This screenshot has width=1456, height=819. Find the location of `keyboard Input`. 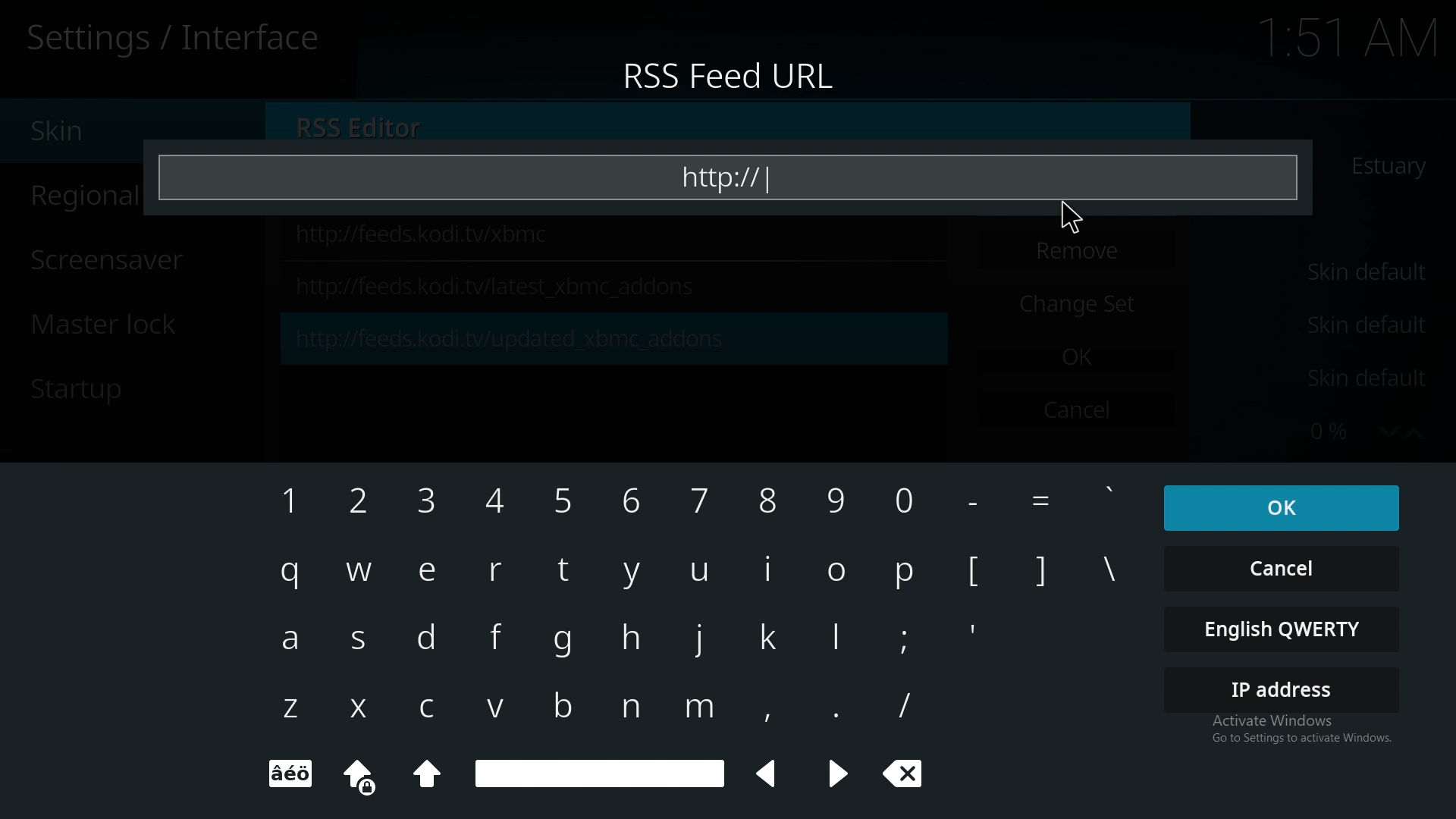

keyboard Input is located at coordinates (632, 638).